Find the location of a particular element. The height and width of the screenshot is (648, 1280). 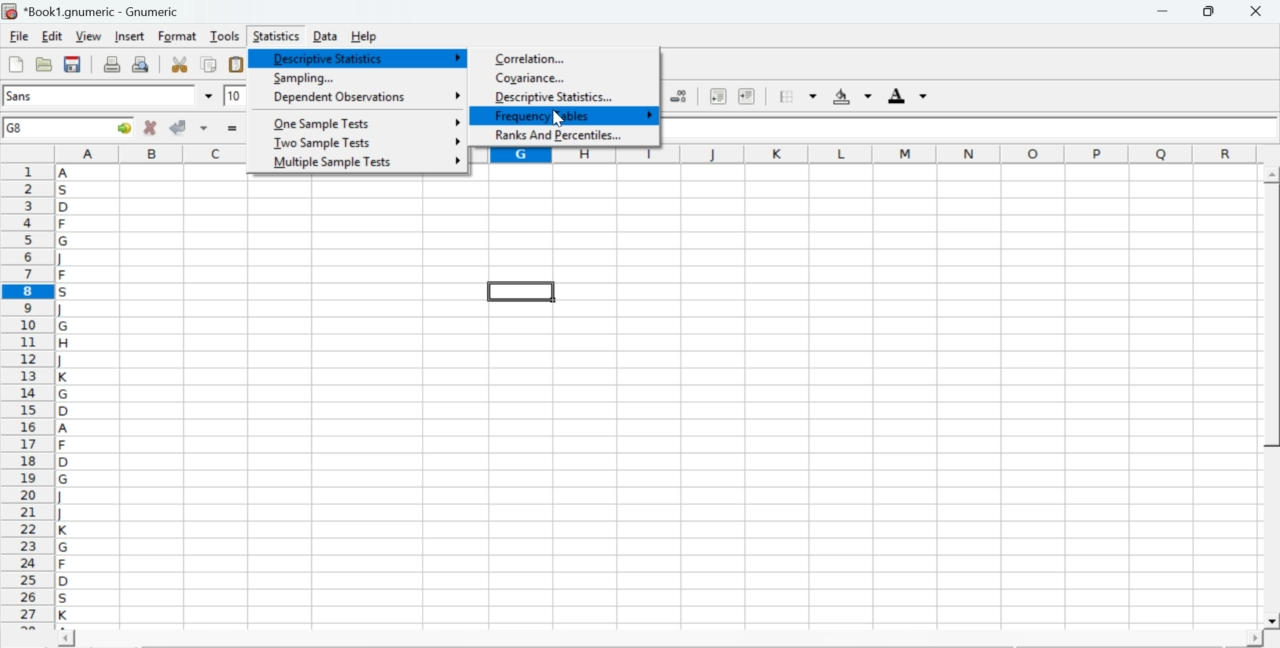

copy is located at coordinates (210, 64).